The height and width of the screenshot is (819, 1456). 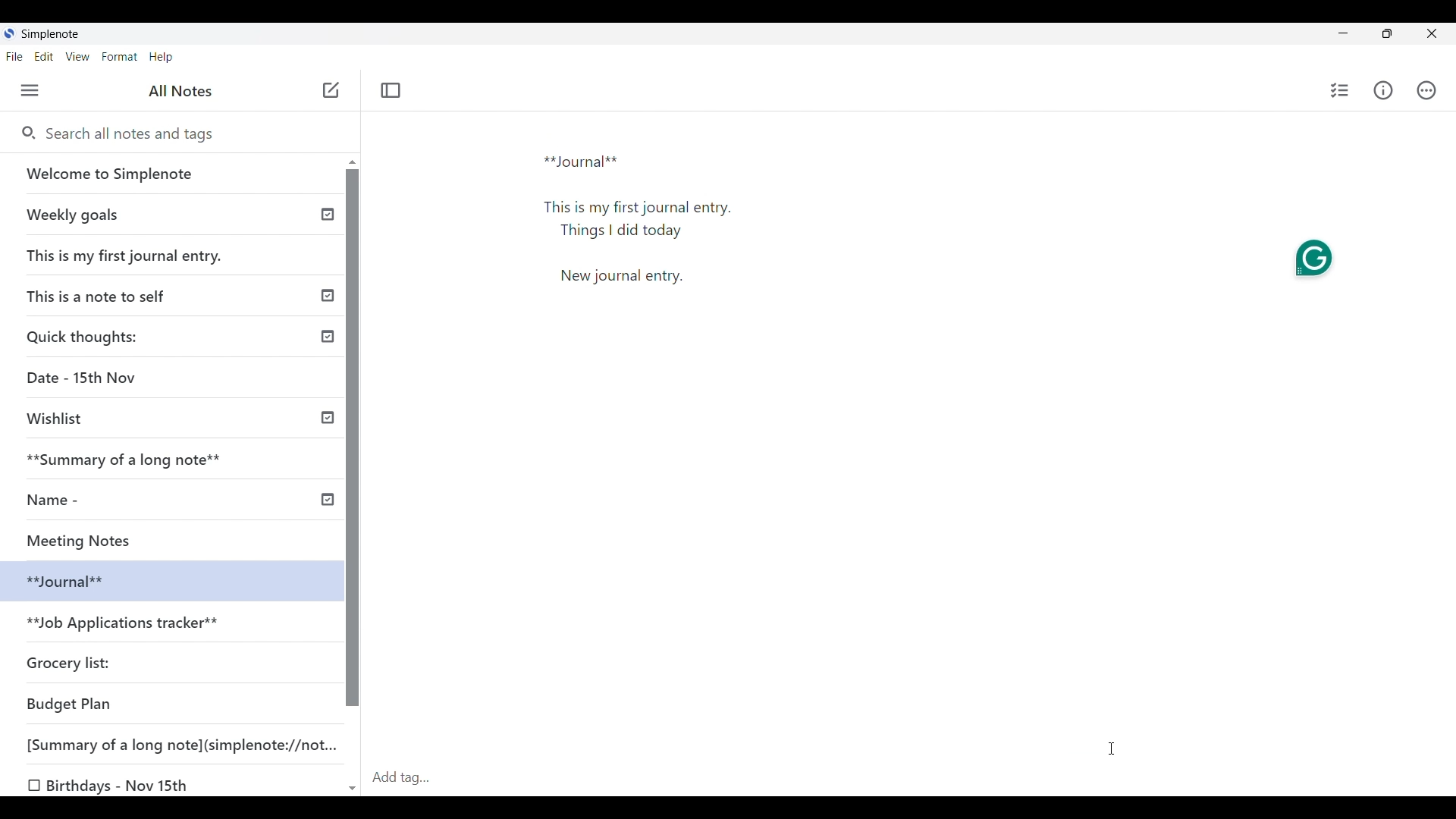 I want to click on Budget Plan, so click(x=70, y=704).